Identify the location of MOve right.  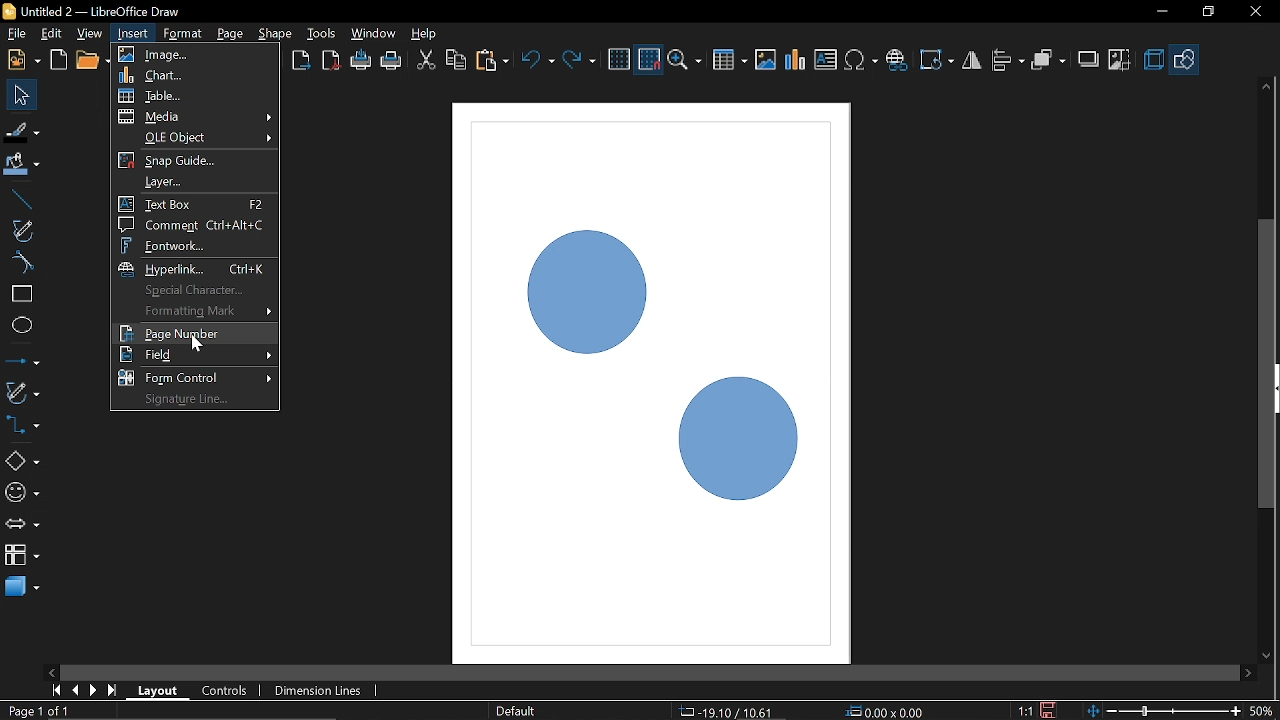
(1248, 672).